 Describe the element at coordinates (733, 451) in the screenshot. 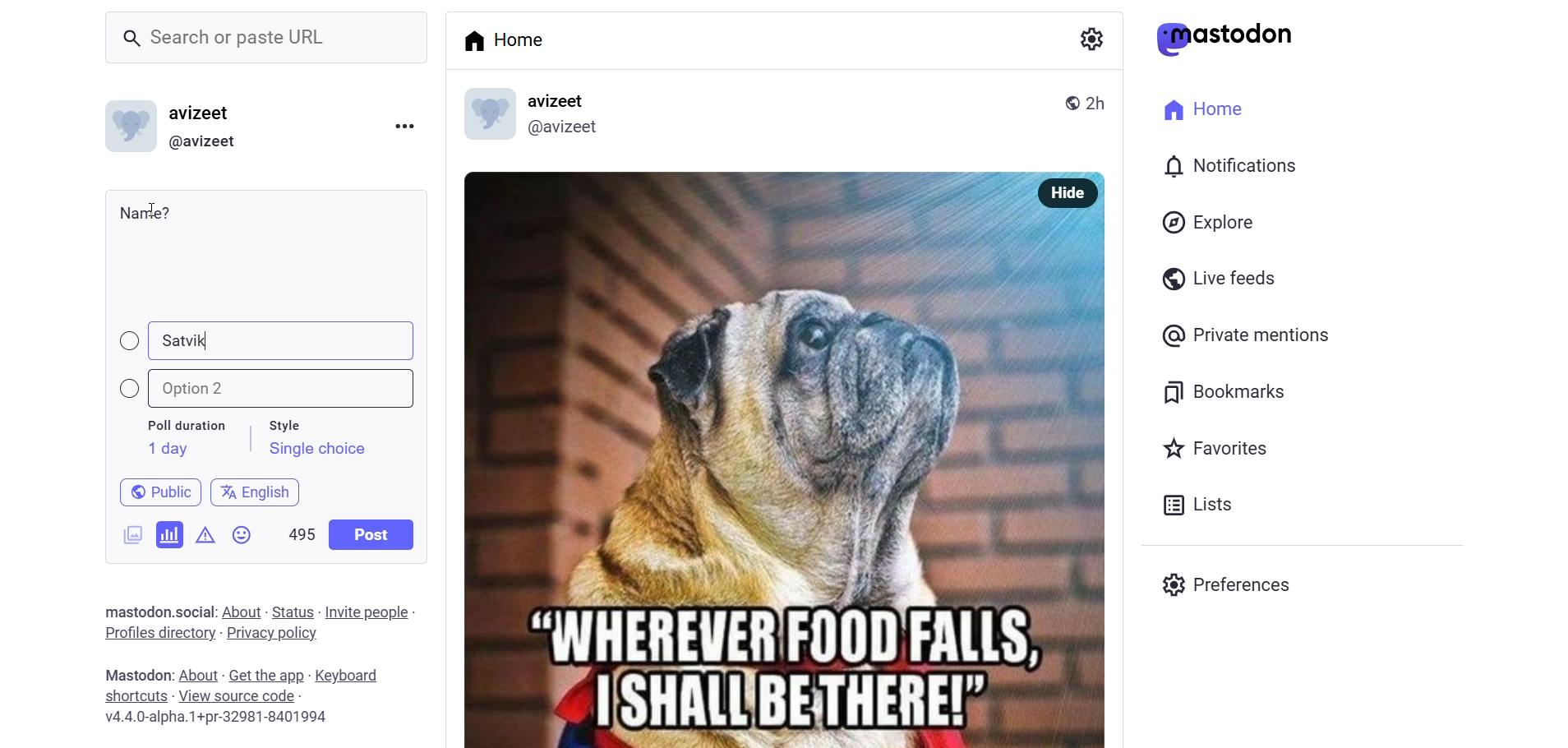

I see `post image` at that location.